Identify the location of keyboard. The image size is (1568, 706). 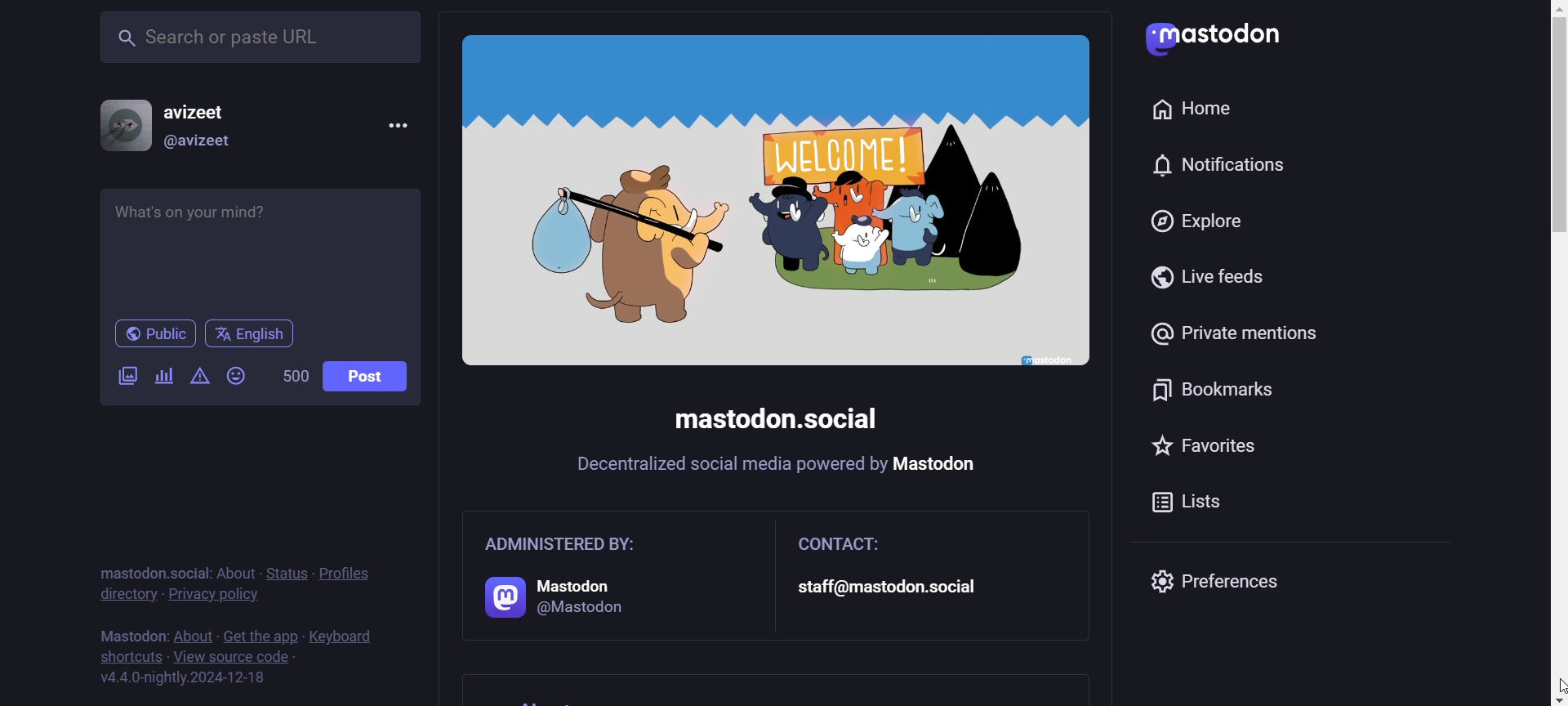
(345, 634).